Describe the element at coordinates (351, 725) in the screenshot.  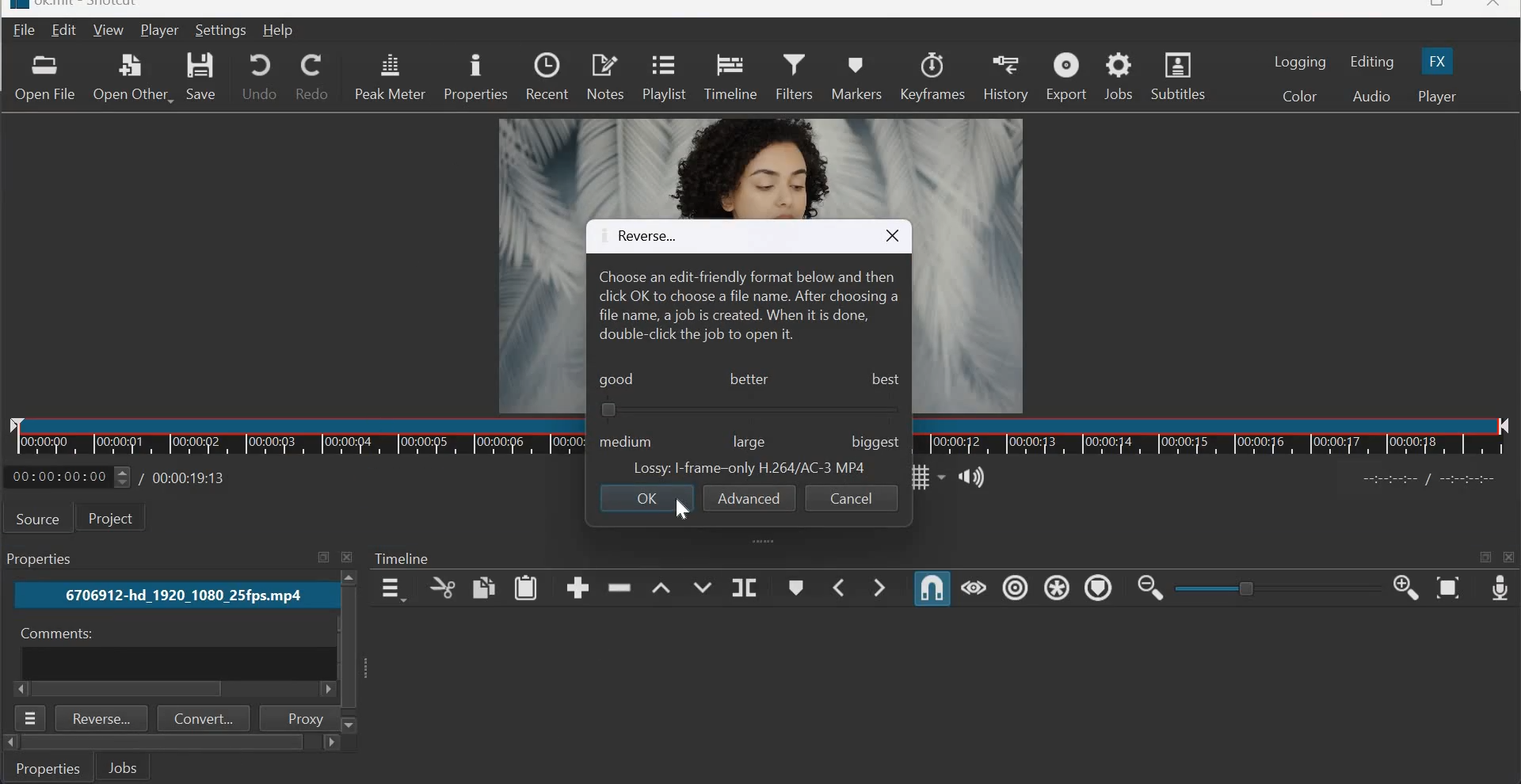
I see `scroll down` at that location.